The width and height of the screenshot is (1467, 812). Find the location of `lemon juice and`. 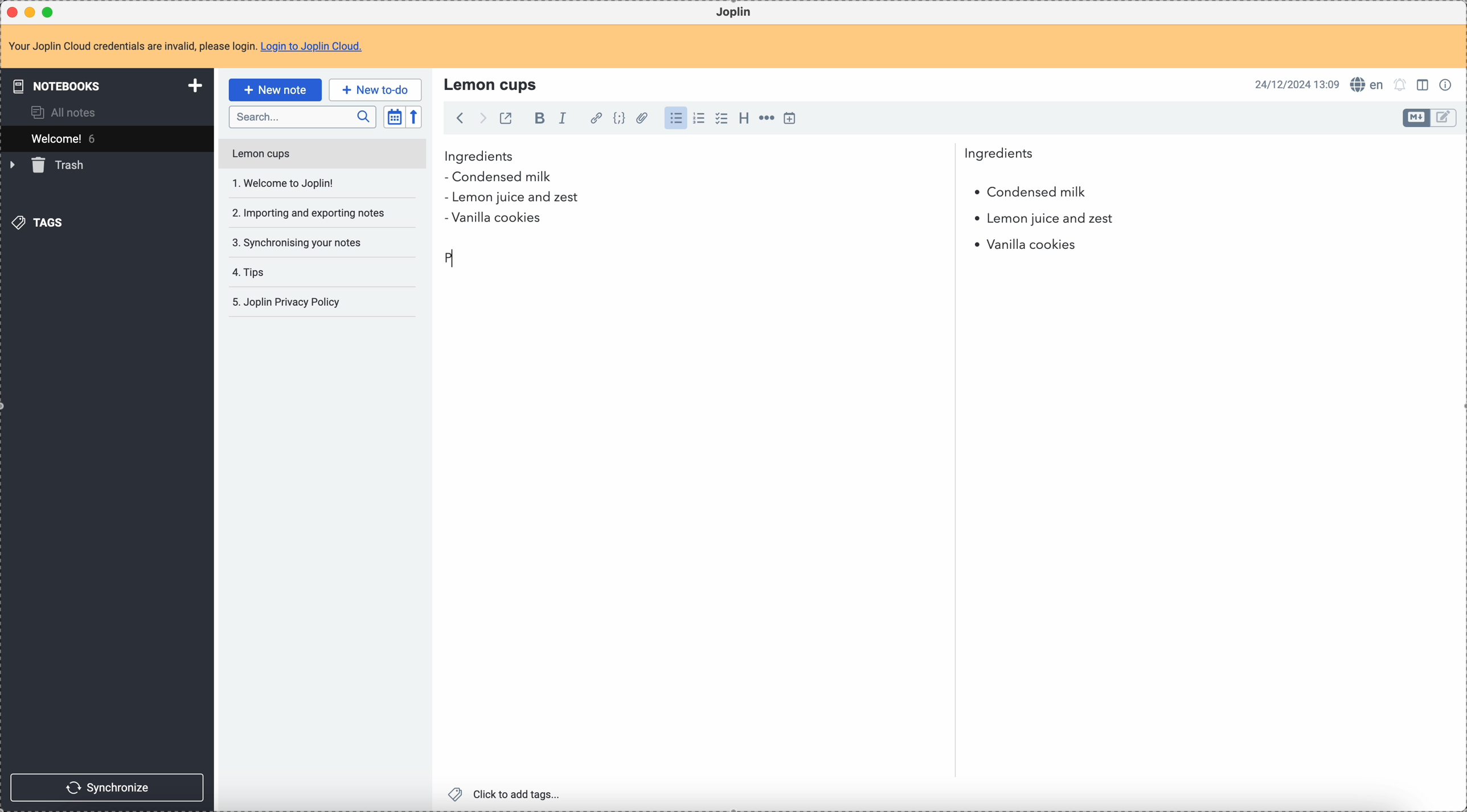

lemon juice and is located at coordinates (1043, 220).